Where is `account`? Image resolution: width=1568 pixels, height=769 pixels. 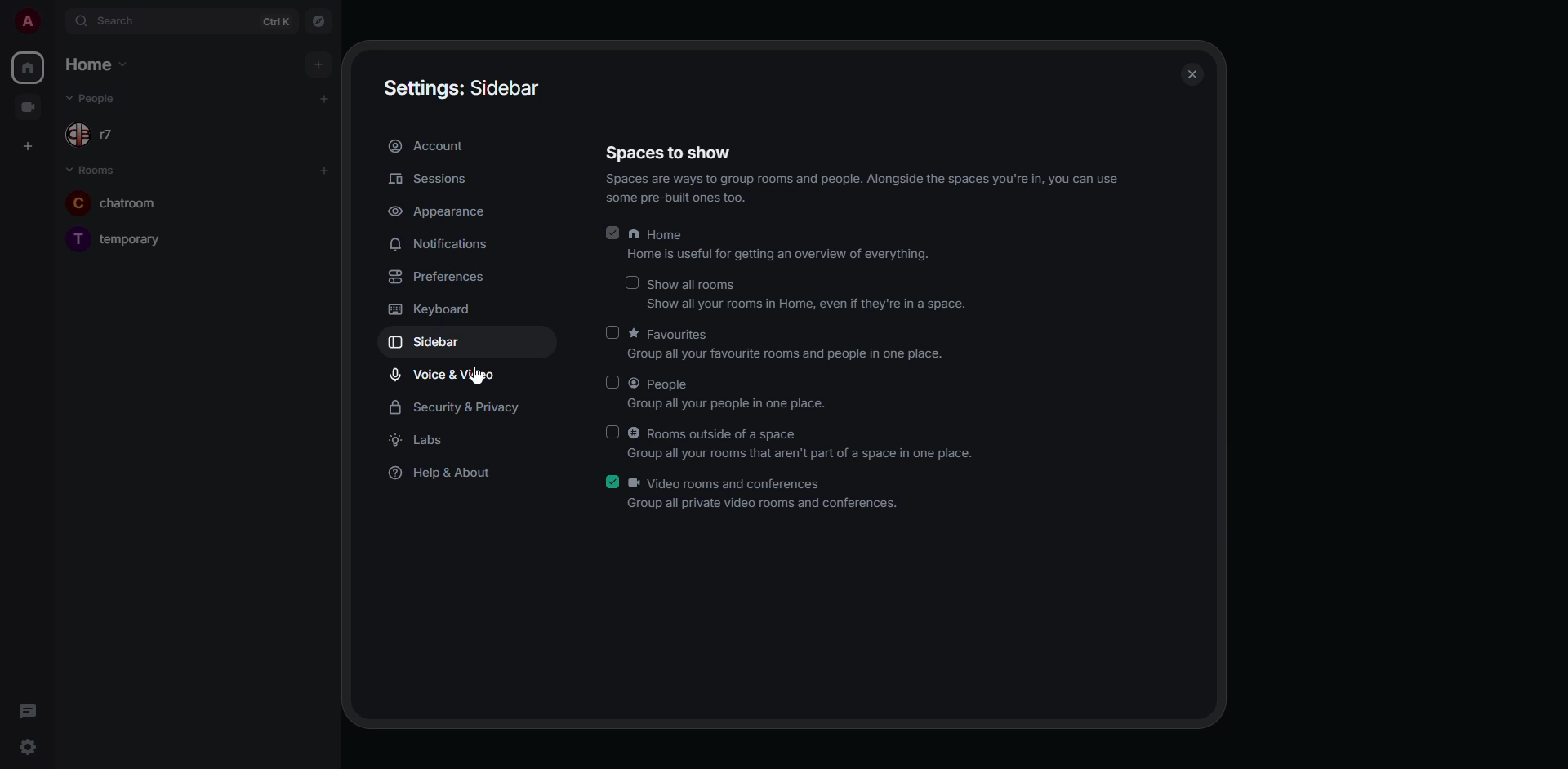
account is located at coordinates (434, 147).